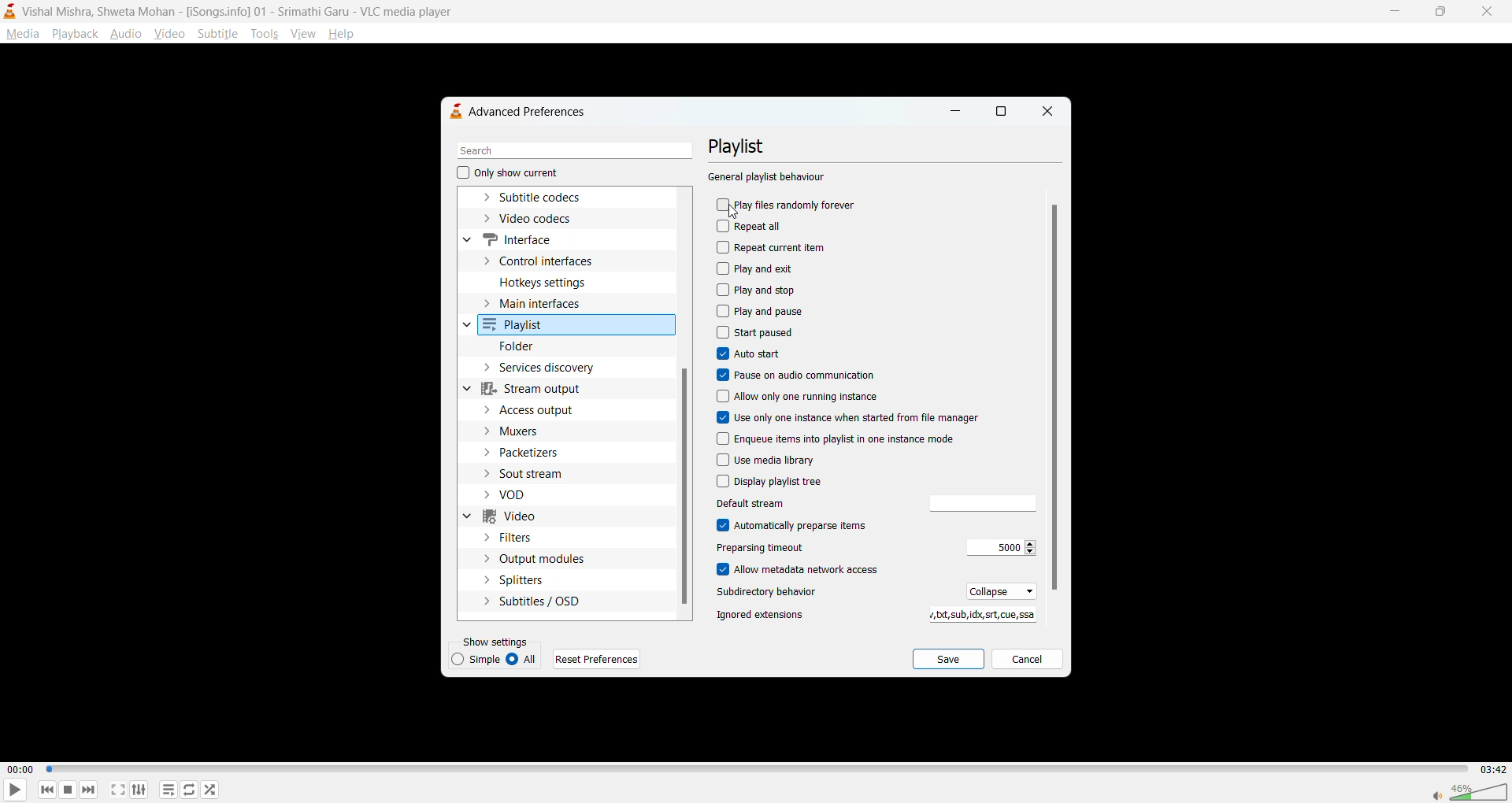 This screenshot has height=803, width=1512. Describe the element at coordinates (532, 600) in the screenshot. I see `subtitles` at that location.